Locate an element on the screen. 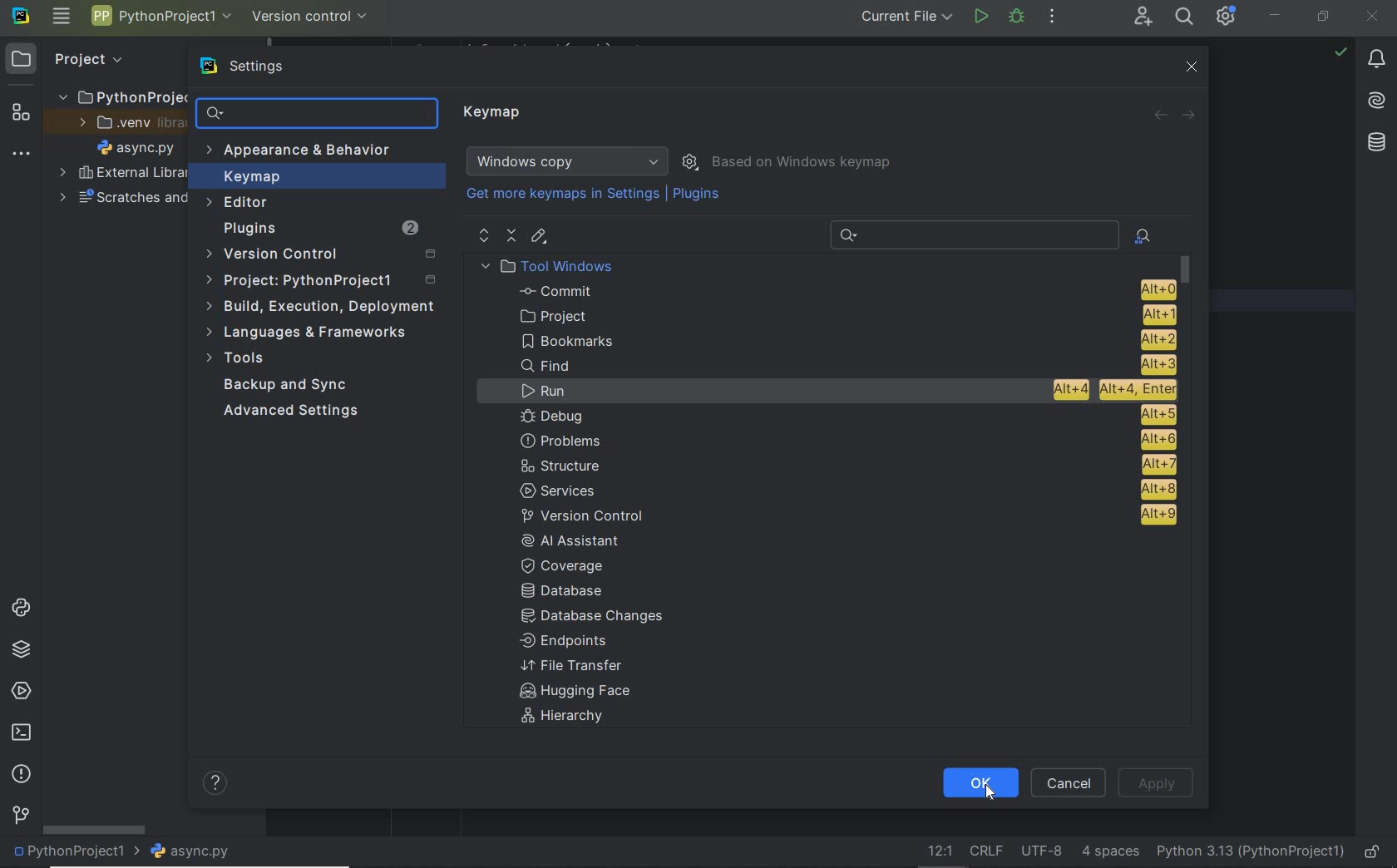  External Libraries is located at coordinates (119, 174).